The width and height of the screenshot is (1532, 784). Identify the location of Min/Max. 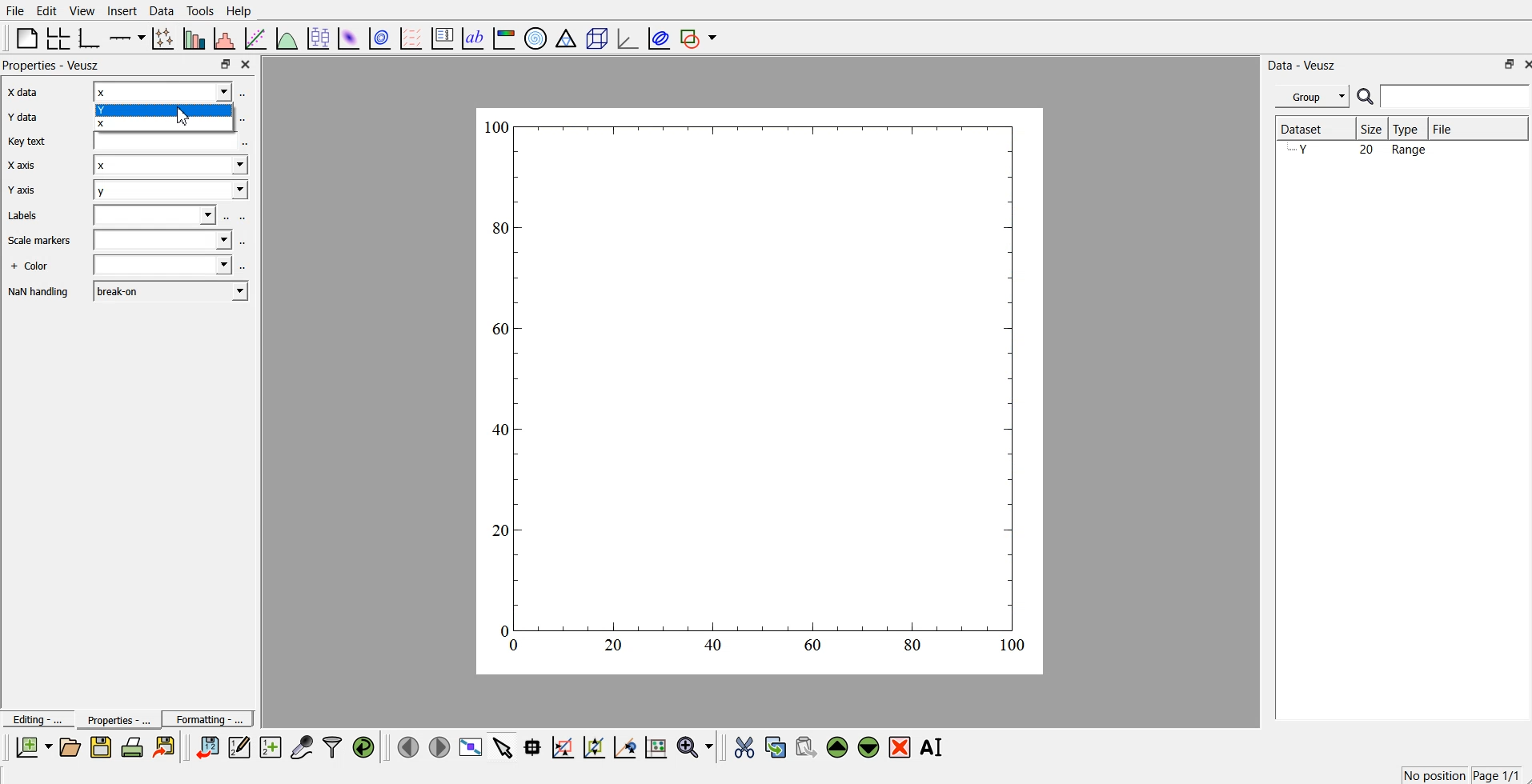
(1502, 64).